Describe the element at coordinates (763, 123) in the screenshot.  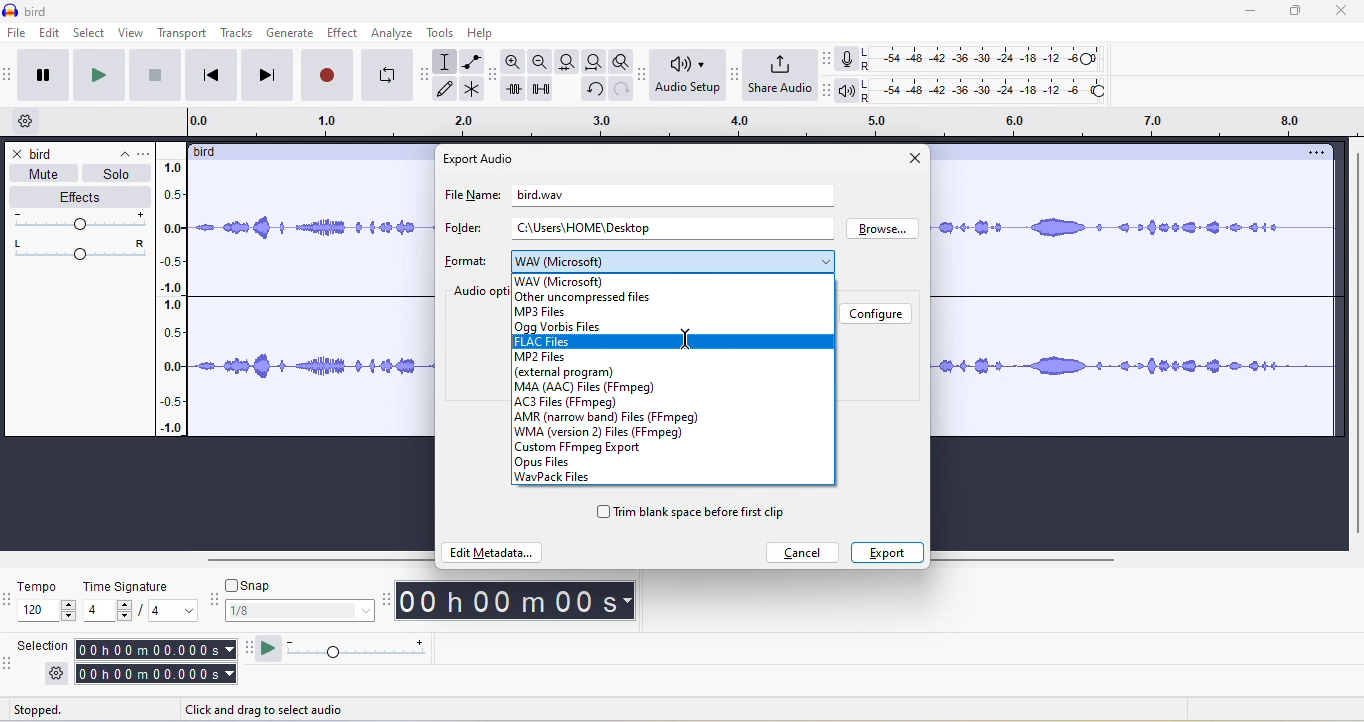
I see `click and drag to define a looping region ` at that location.